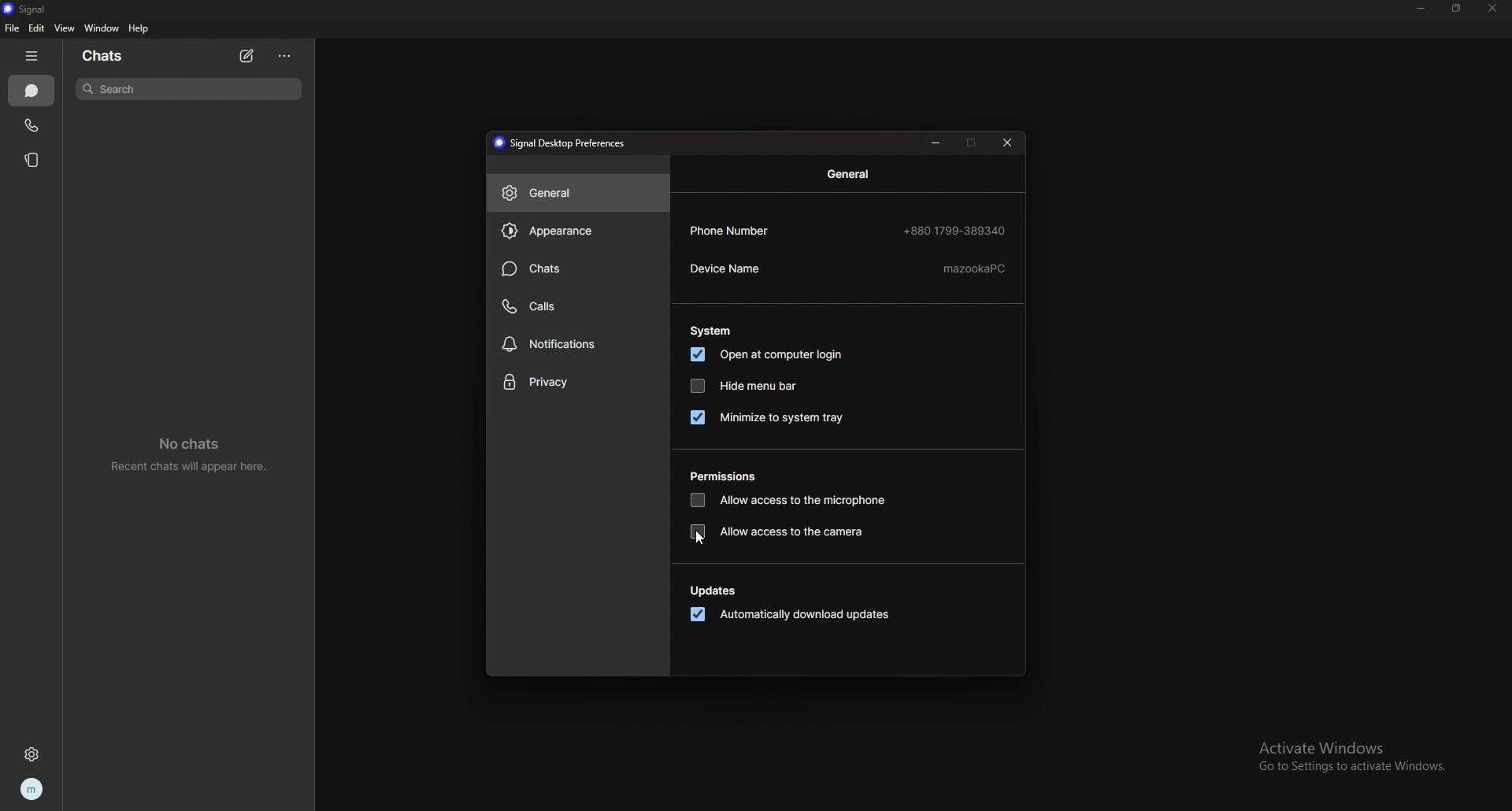 This screenshot has width=1512, height=811. I want to click on chats, so click(576, 268).